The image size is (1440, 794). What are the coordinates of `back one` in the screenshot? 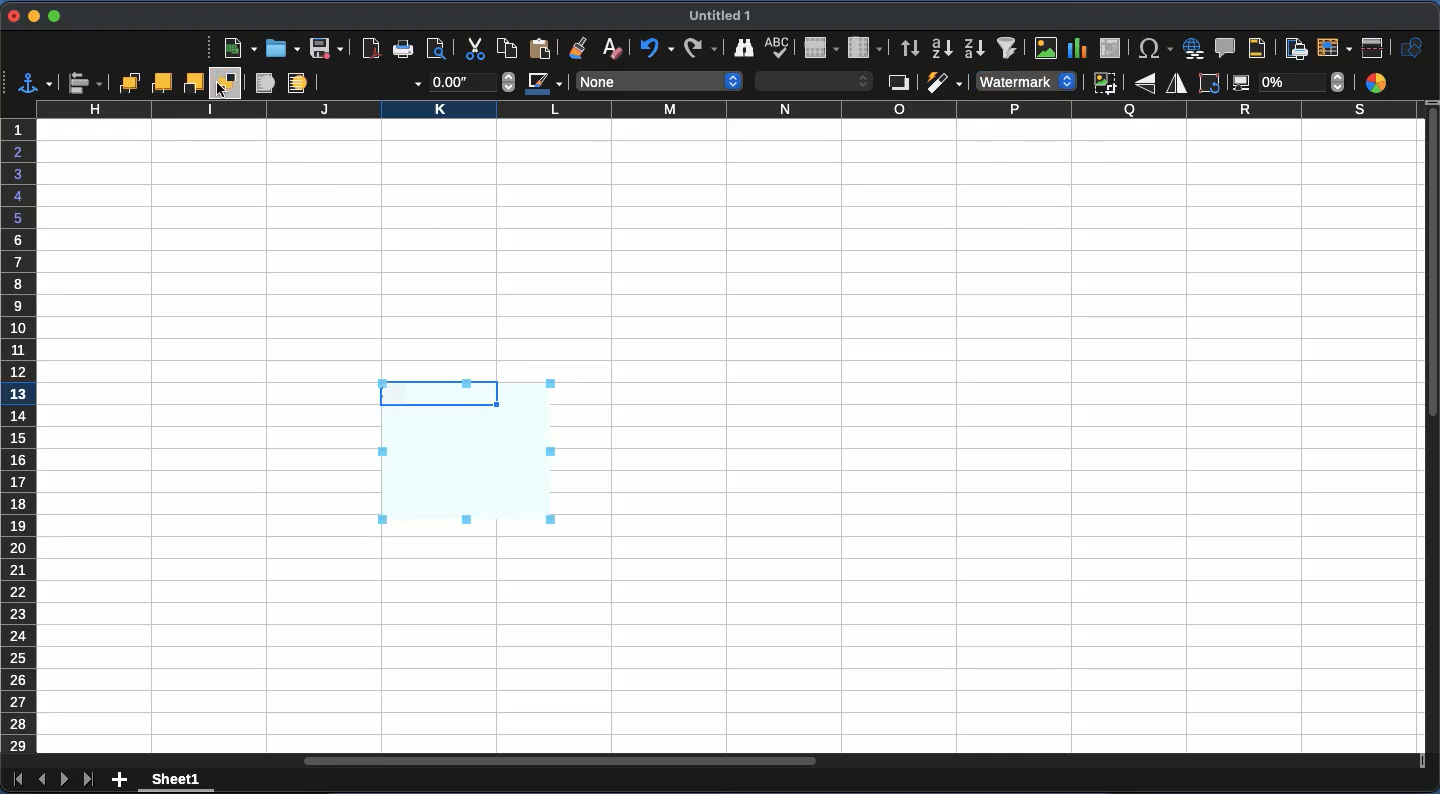 It's located at (196, 82).